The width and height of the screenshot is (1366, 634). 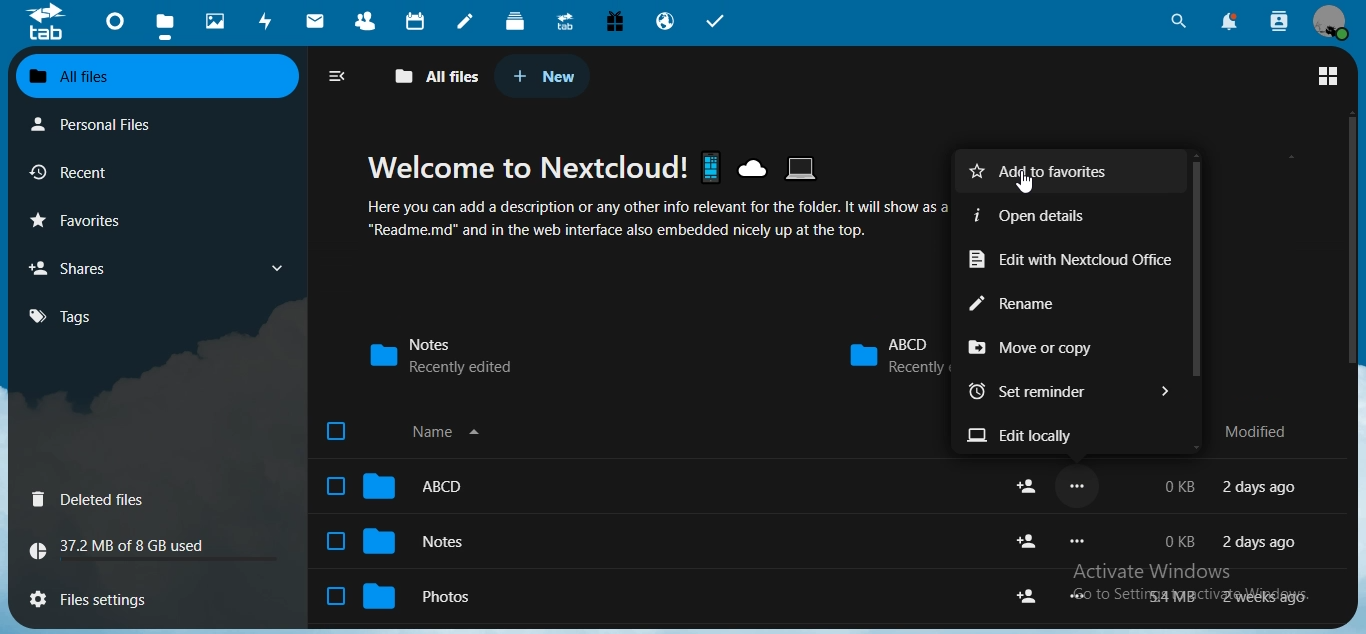 I want to click on notifications, so click(x=1230, y=21).